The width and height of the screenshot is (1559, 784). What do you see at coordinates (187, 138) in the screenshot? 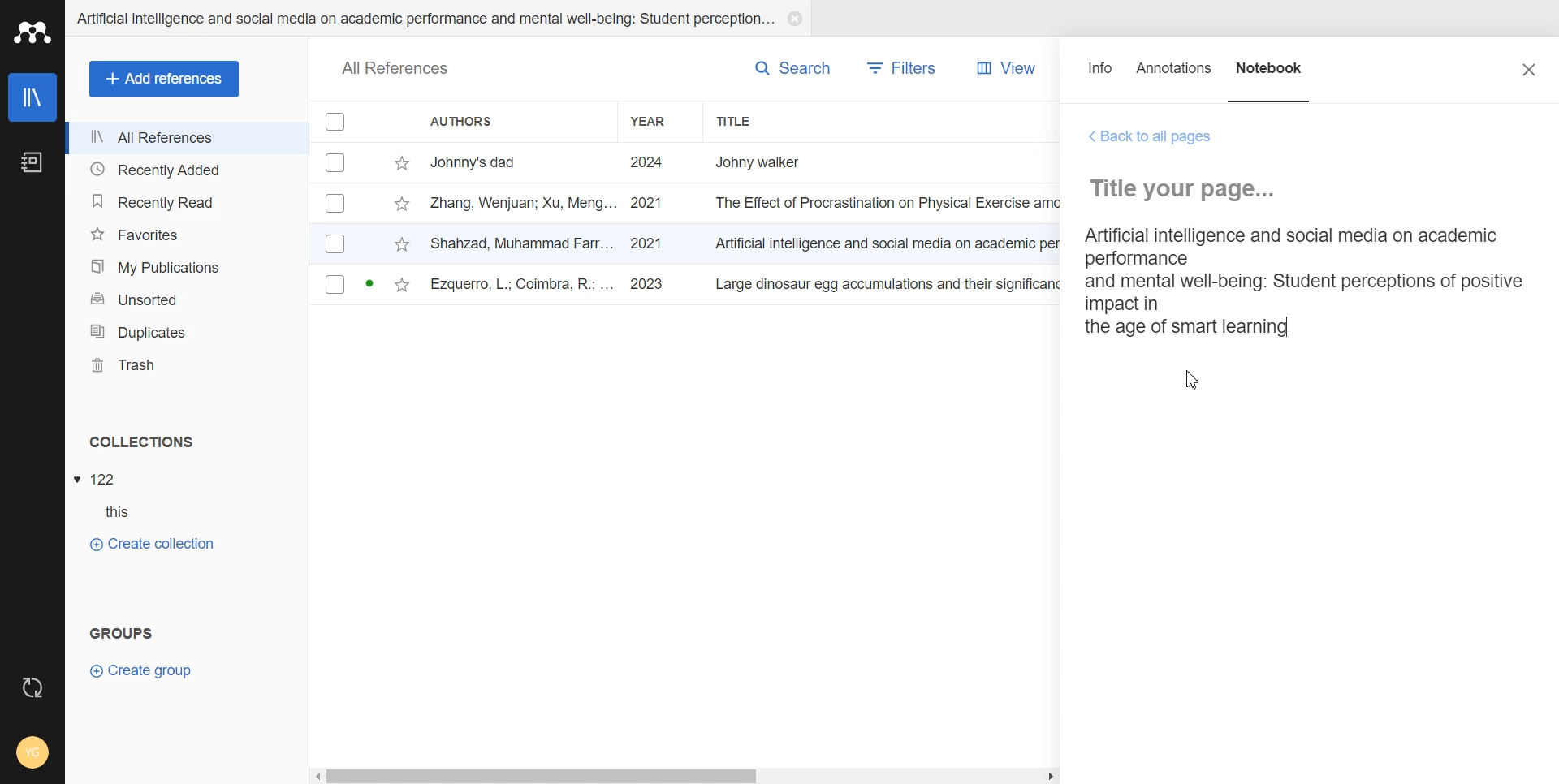
I see `All References` at bounding box center [187, 138].